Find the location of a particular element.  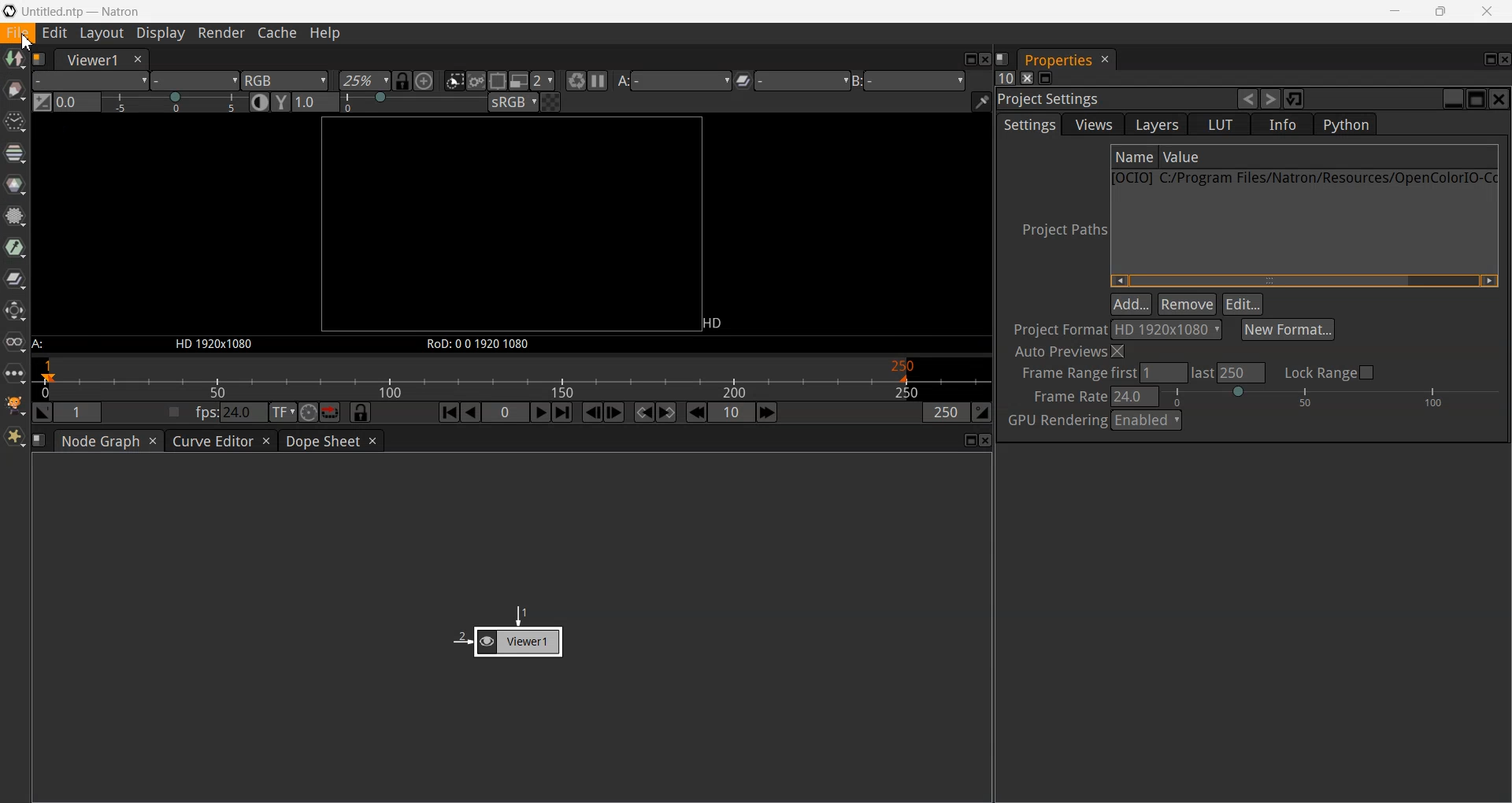

RGB is located at coordinates (285, 82).